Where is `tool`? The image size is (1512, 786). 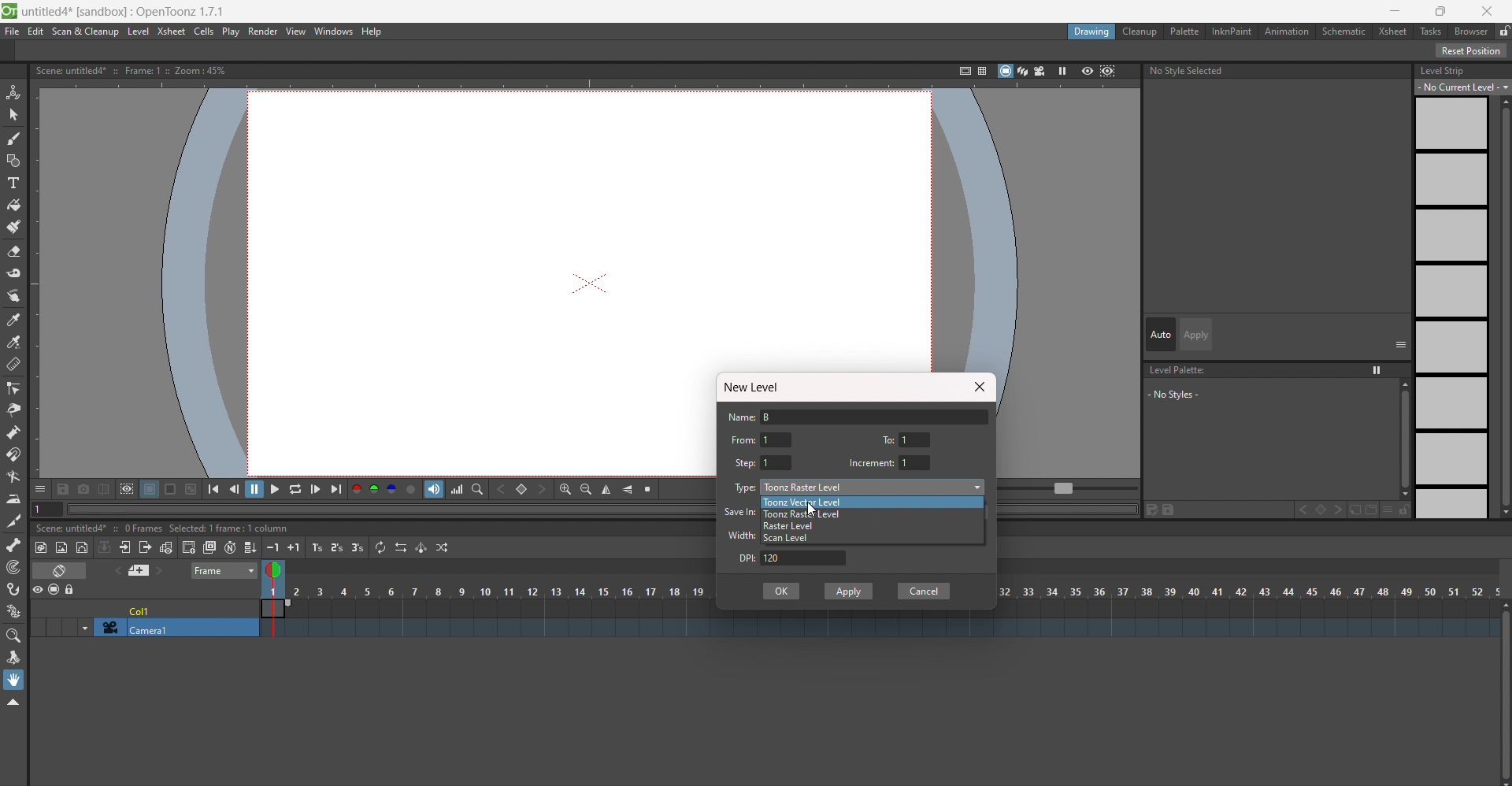
tool is located at coordinates (83, 488).